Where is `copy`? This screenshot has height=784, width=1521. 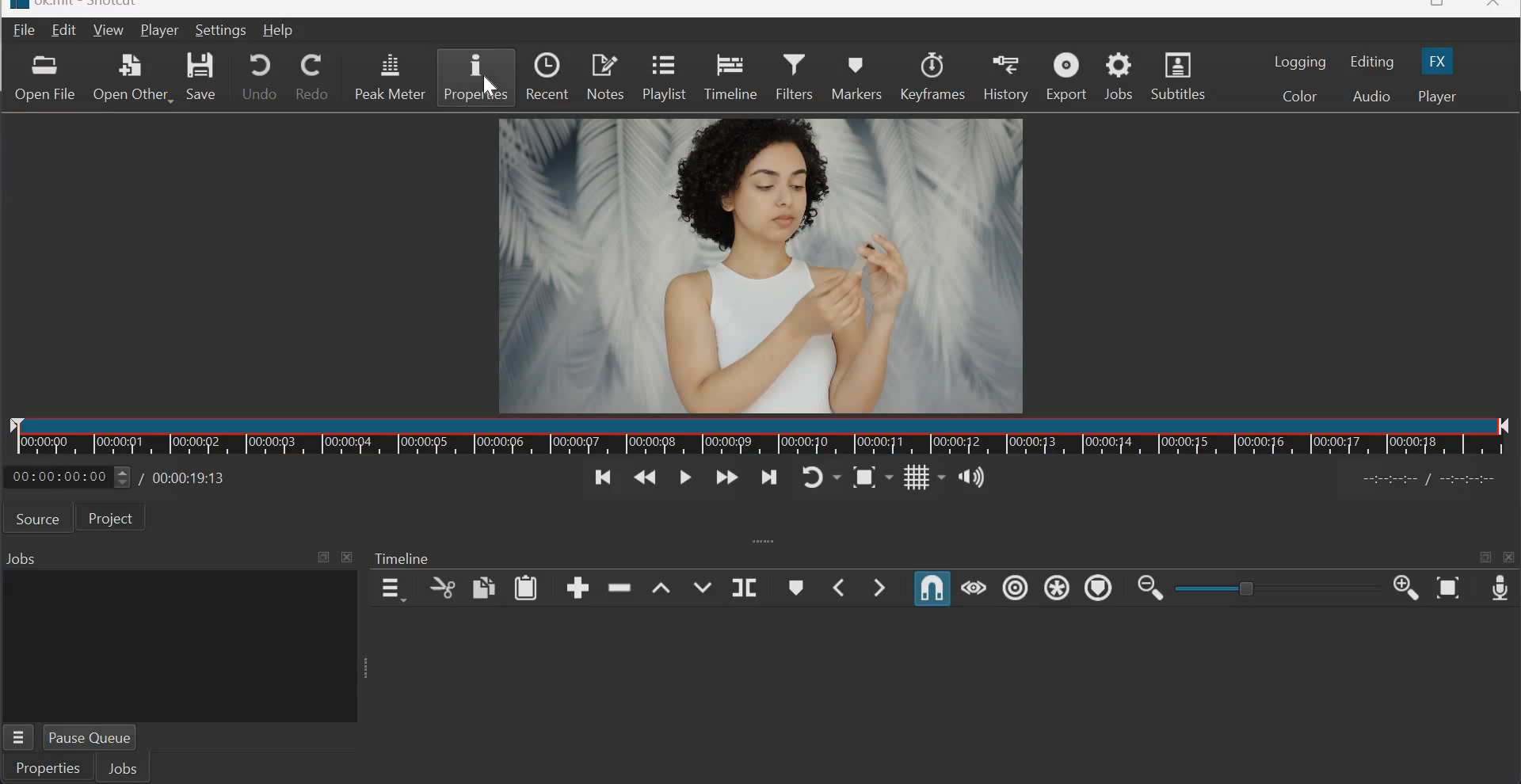
copy is located at coordinates (483, 587).